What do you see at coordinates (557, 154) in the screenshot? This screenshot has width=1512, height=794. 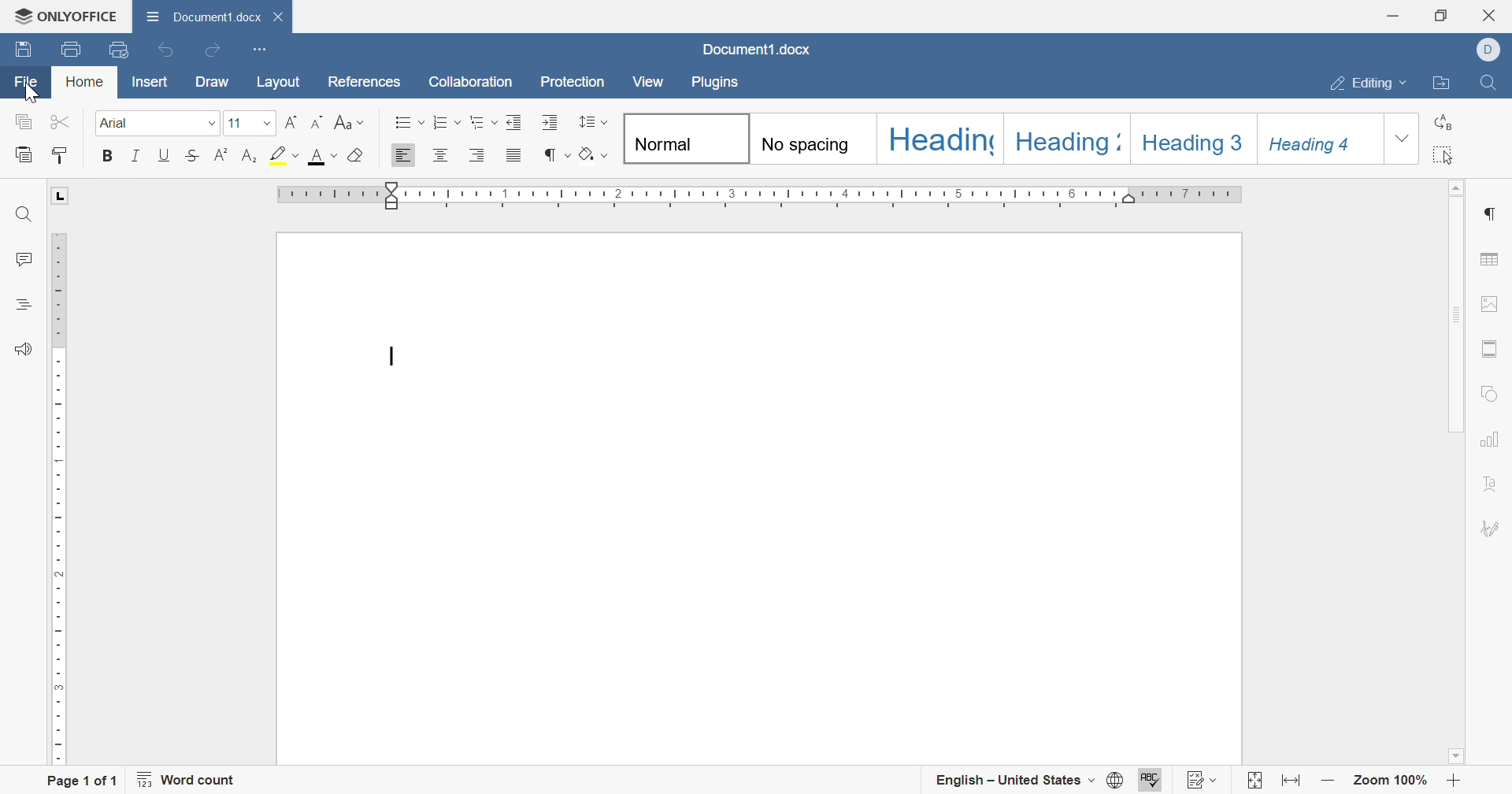 I see `nonprinting characters` at bounding box center [557, 154].